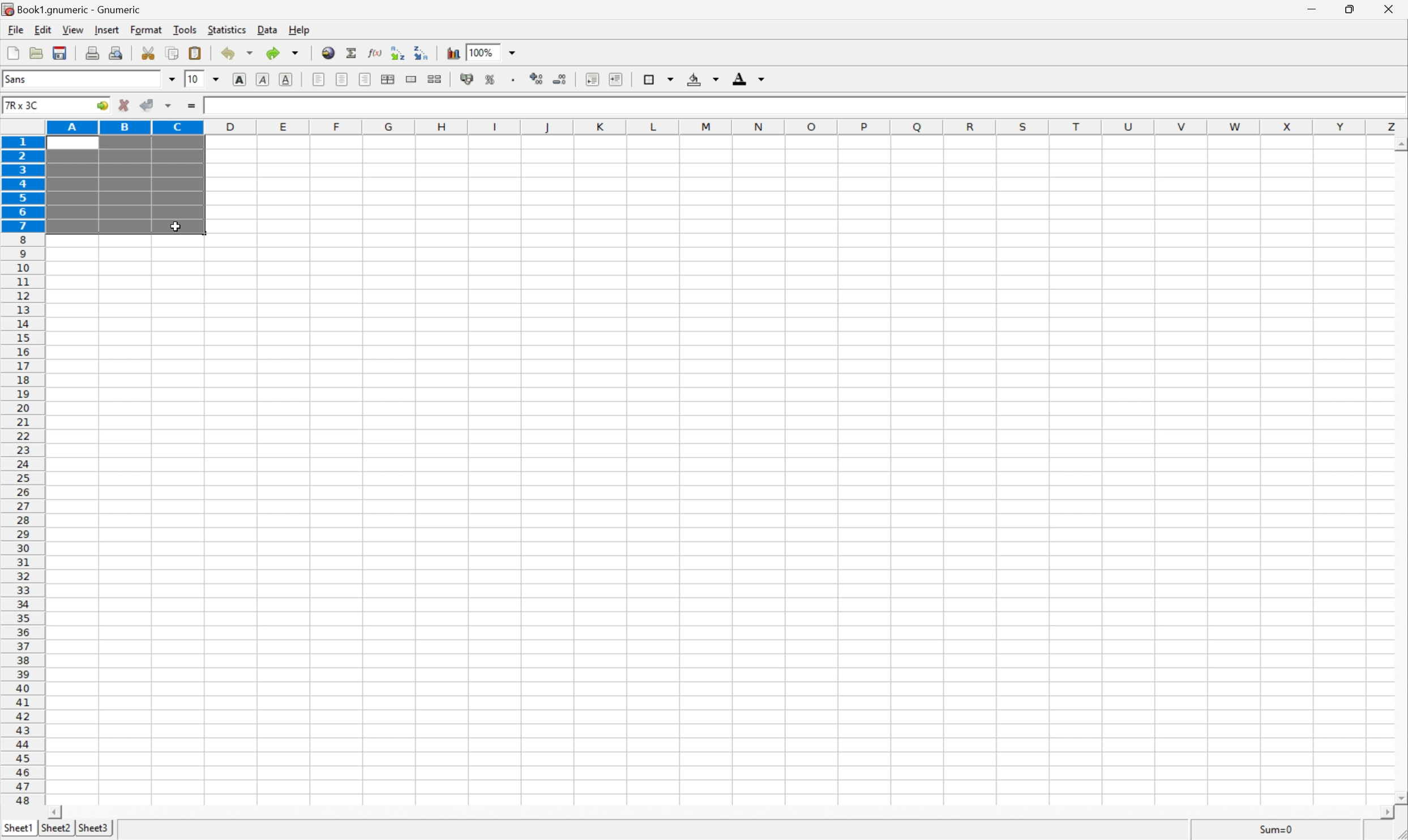  Describe the element at coordinates (263, 80) in the screenshot. I see `italic` at that location.